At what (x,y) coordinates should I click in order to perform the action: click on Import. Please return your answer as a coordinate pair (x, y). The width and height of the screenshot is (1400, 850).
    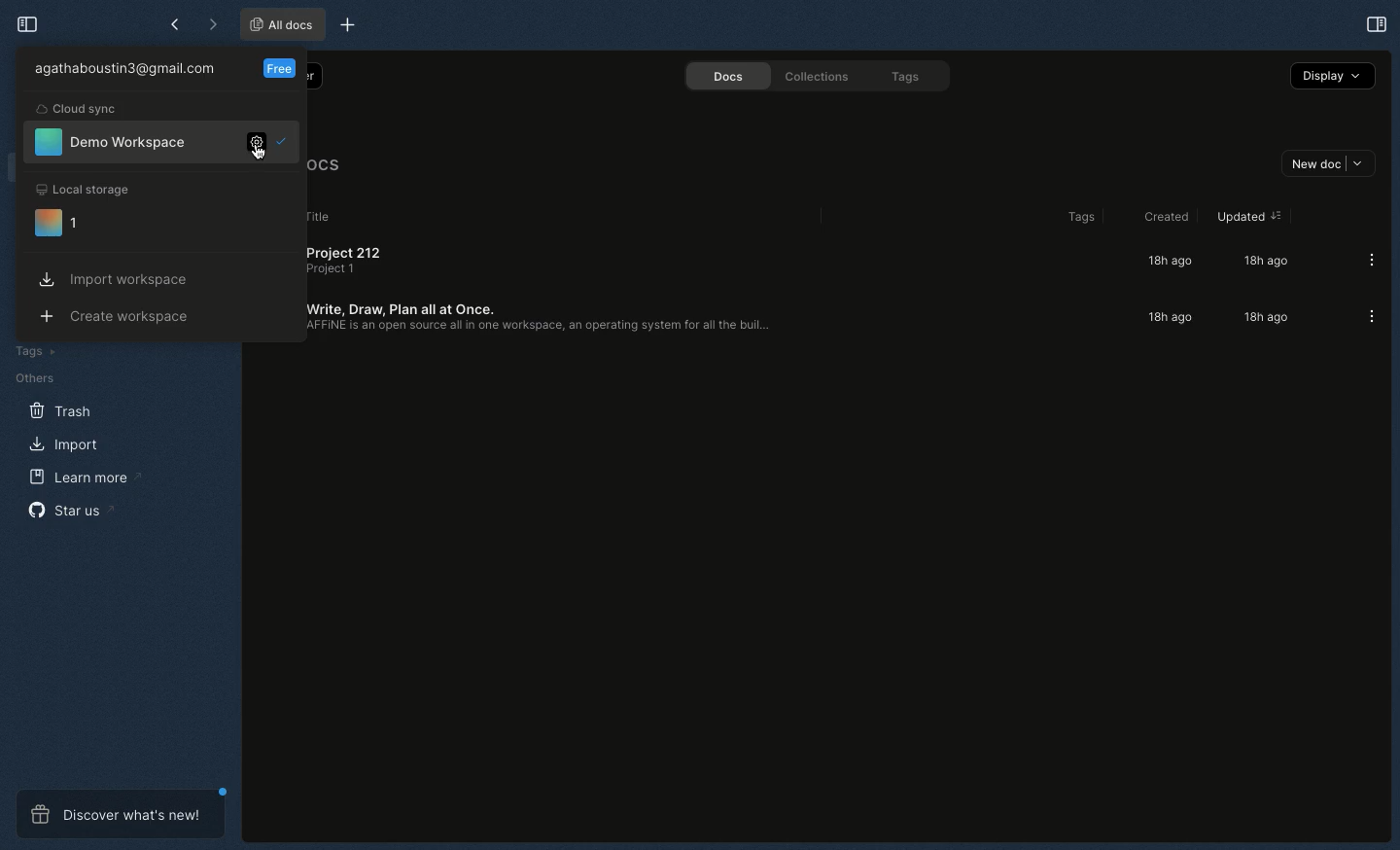
    Looking at the image, I should click on (65, 445).